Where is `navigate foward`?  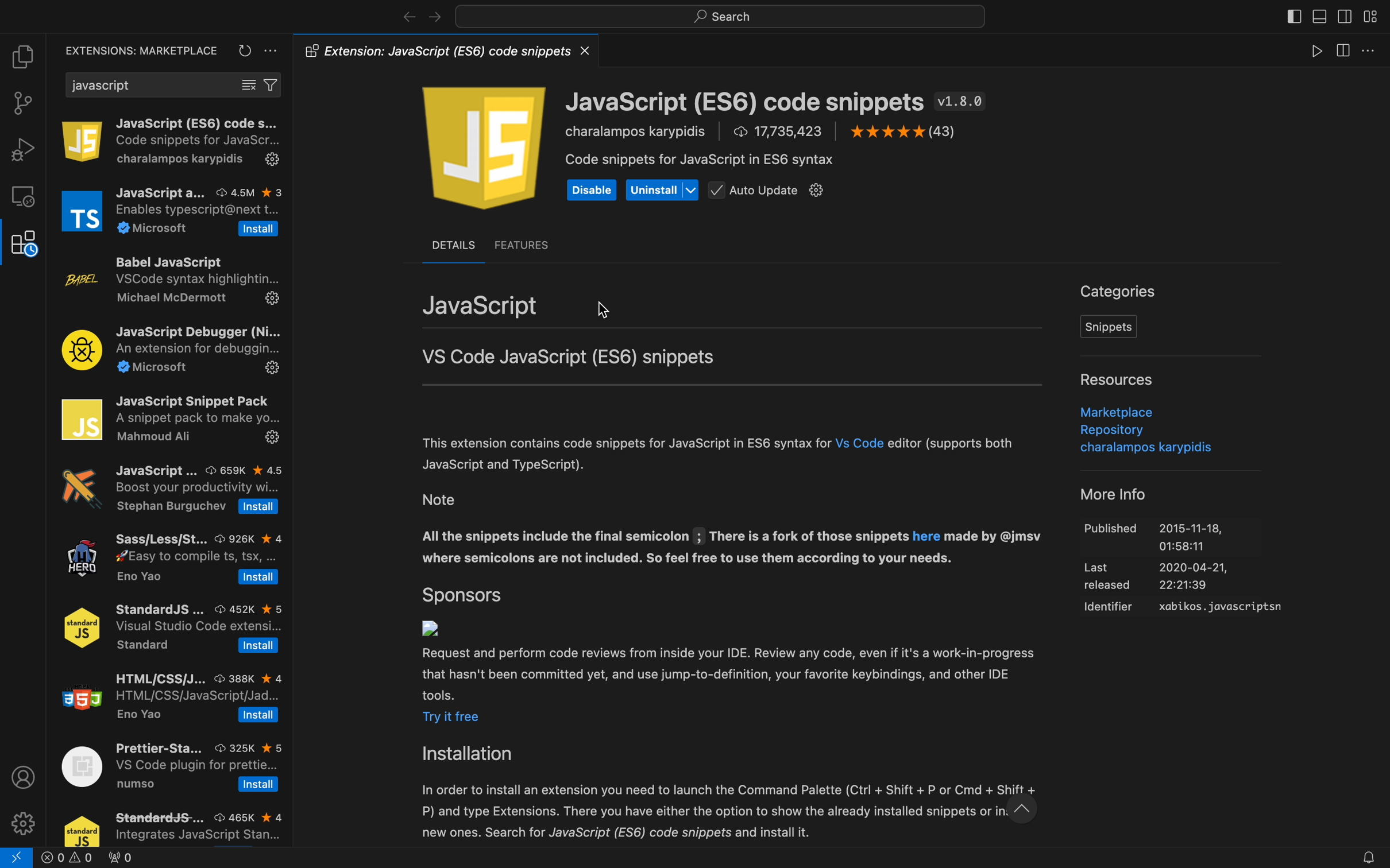 navigate foward is located at coordinates (433, 17).